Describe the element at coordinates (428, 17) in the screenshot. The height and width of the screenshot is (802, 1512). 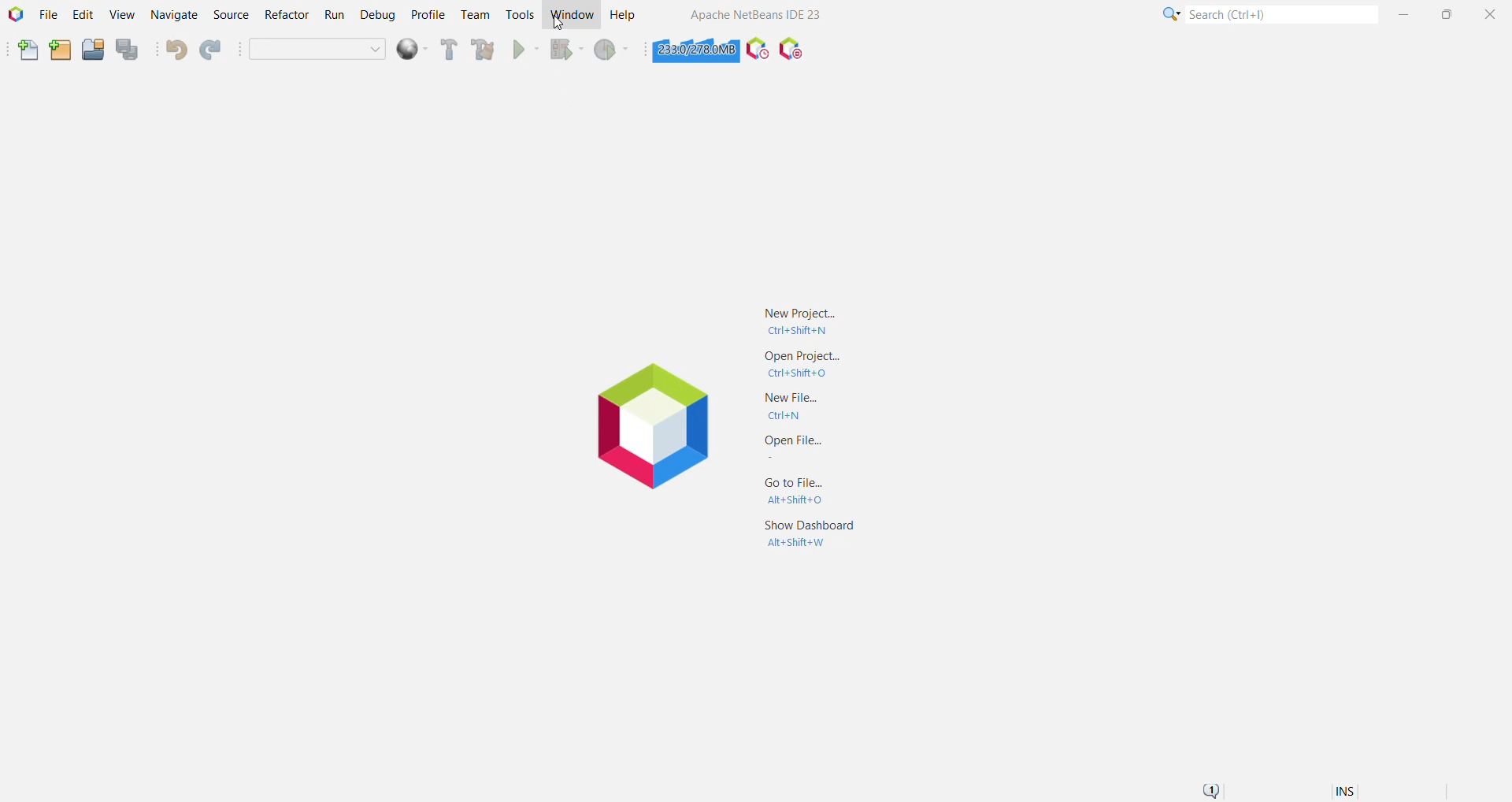
I see `Profile` at that location.